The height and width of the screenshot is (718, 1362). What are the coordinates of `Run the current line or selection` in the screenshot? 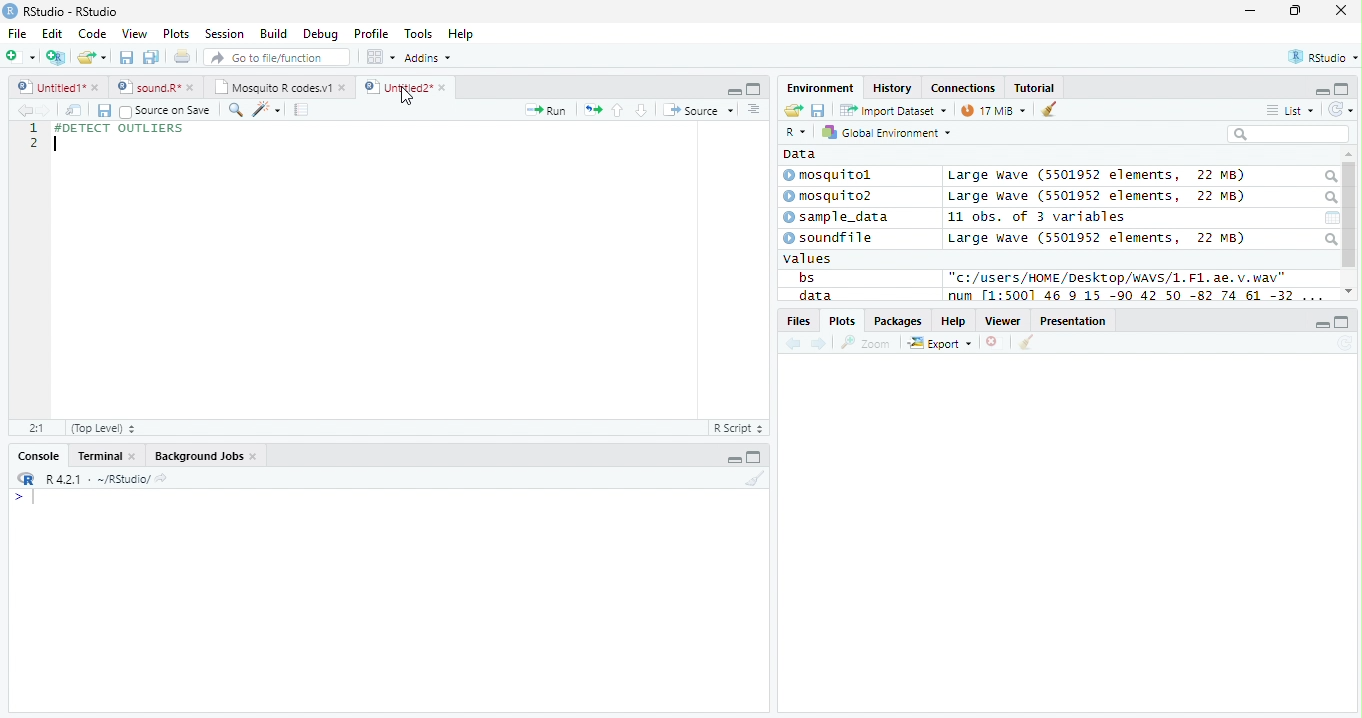 It's located at (546, 111).